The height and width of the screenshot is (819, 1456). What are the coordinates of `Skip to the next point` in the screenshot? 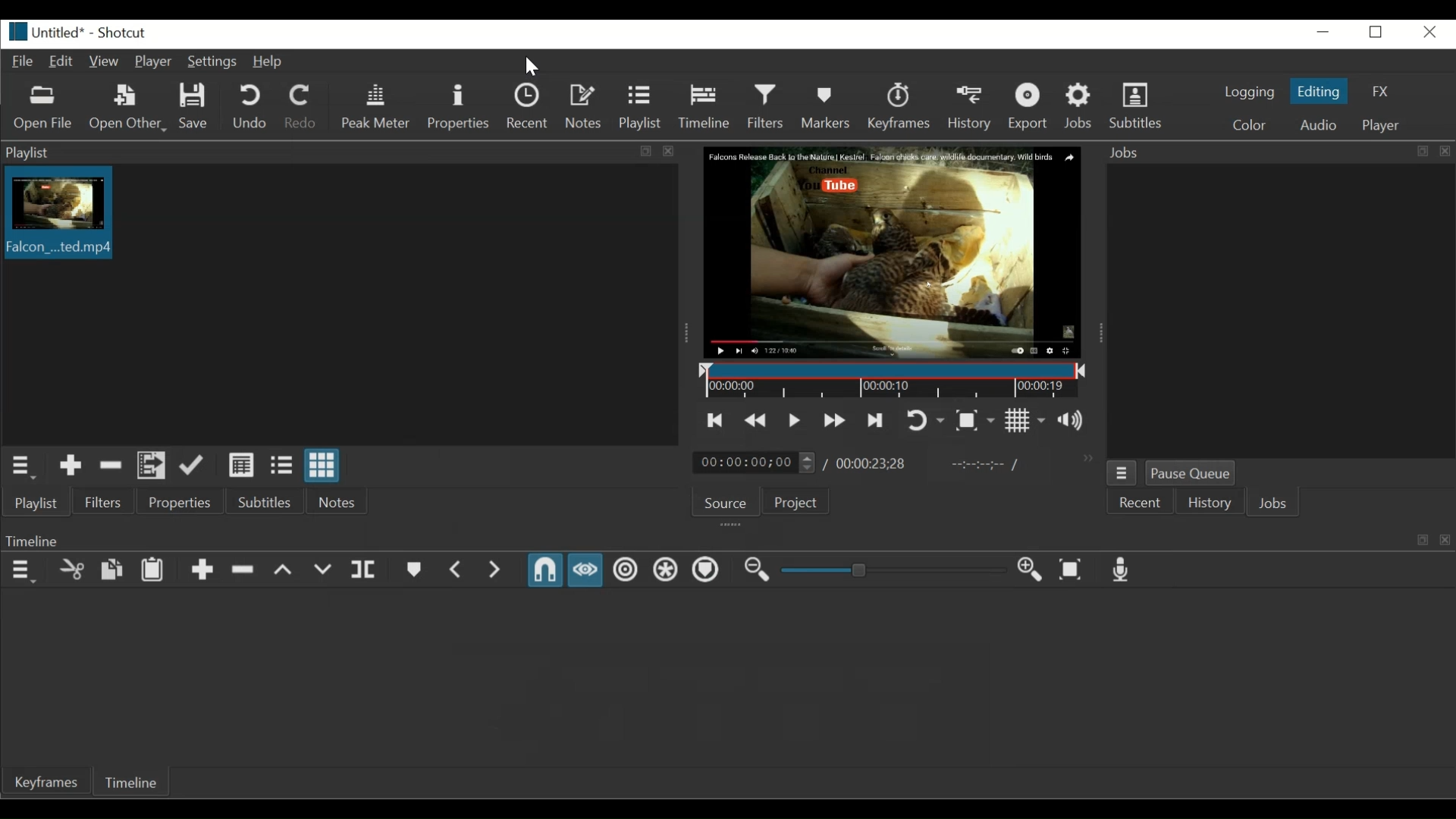 It's located at (874, 419).